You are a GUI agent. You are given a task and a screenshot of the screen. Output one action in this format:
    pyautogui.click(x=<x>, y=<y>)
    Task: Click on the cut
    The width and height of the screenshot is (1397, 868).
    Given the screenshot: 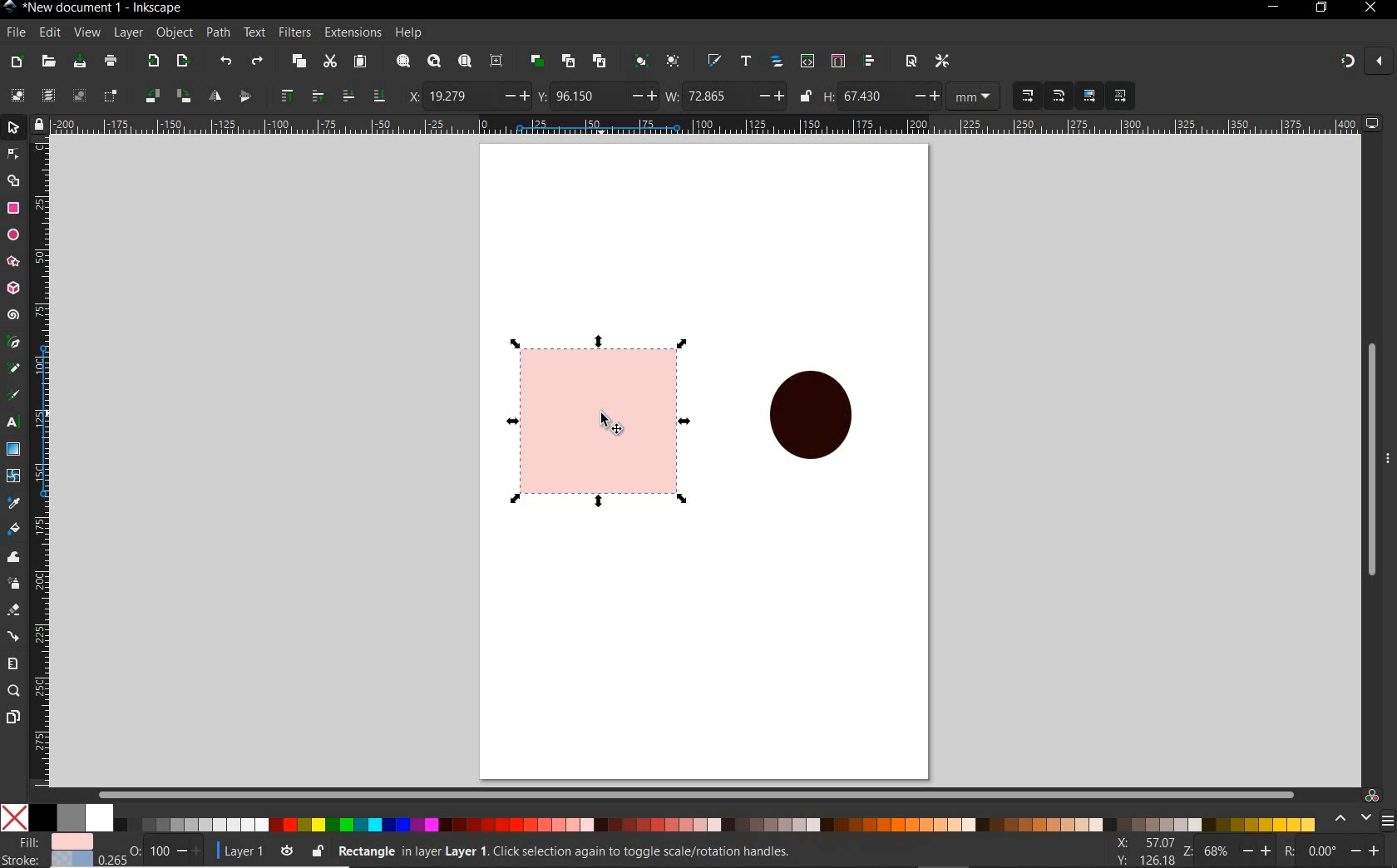 What is the action you would take?
    pyautogui.click(x=330, y=61)
    